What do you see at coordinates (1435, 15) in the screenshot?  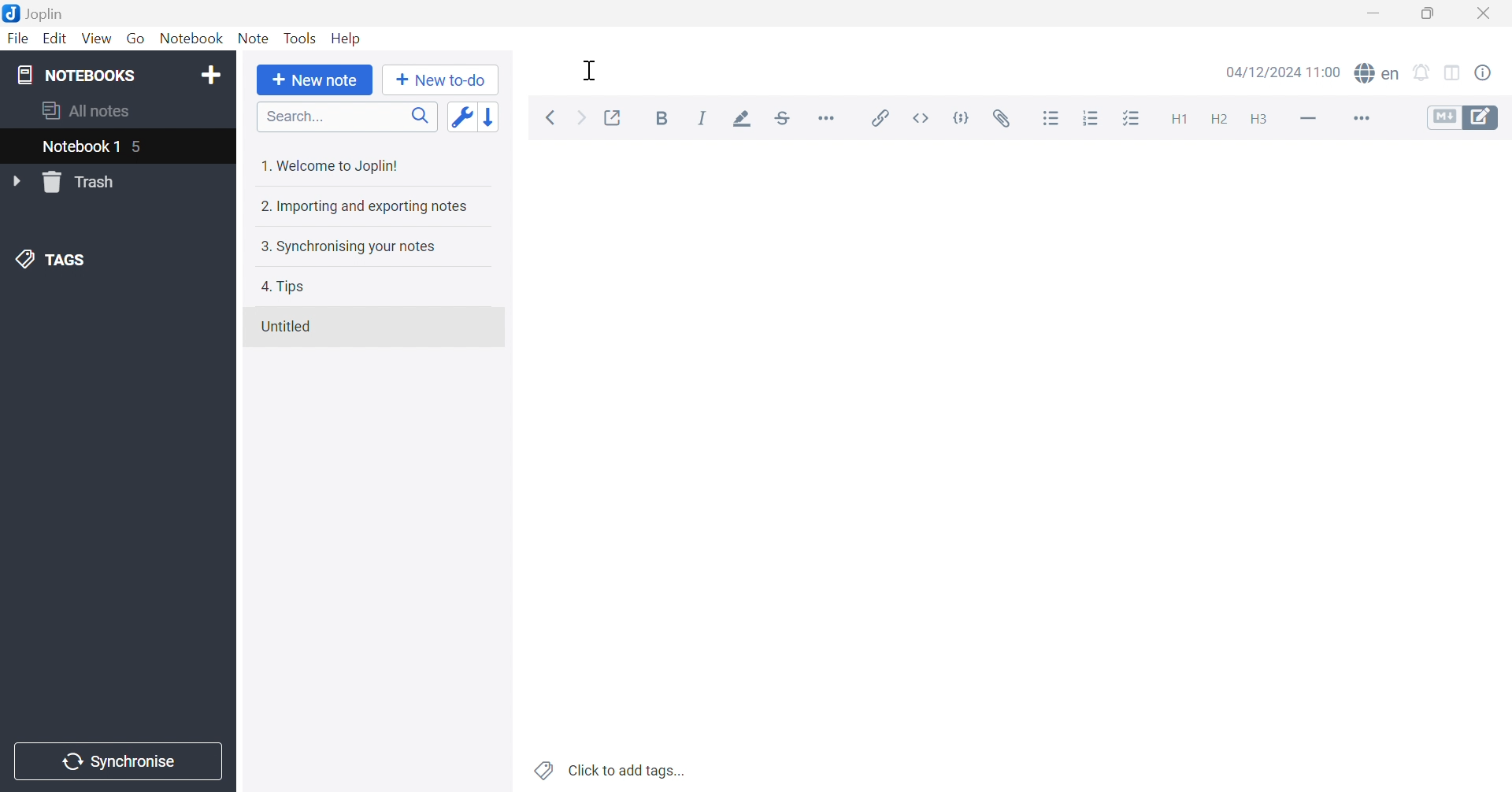 I see `Restore Down` at bounding box center [1435, 15].